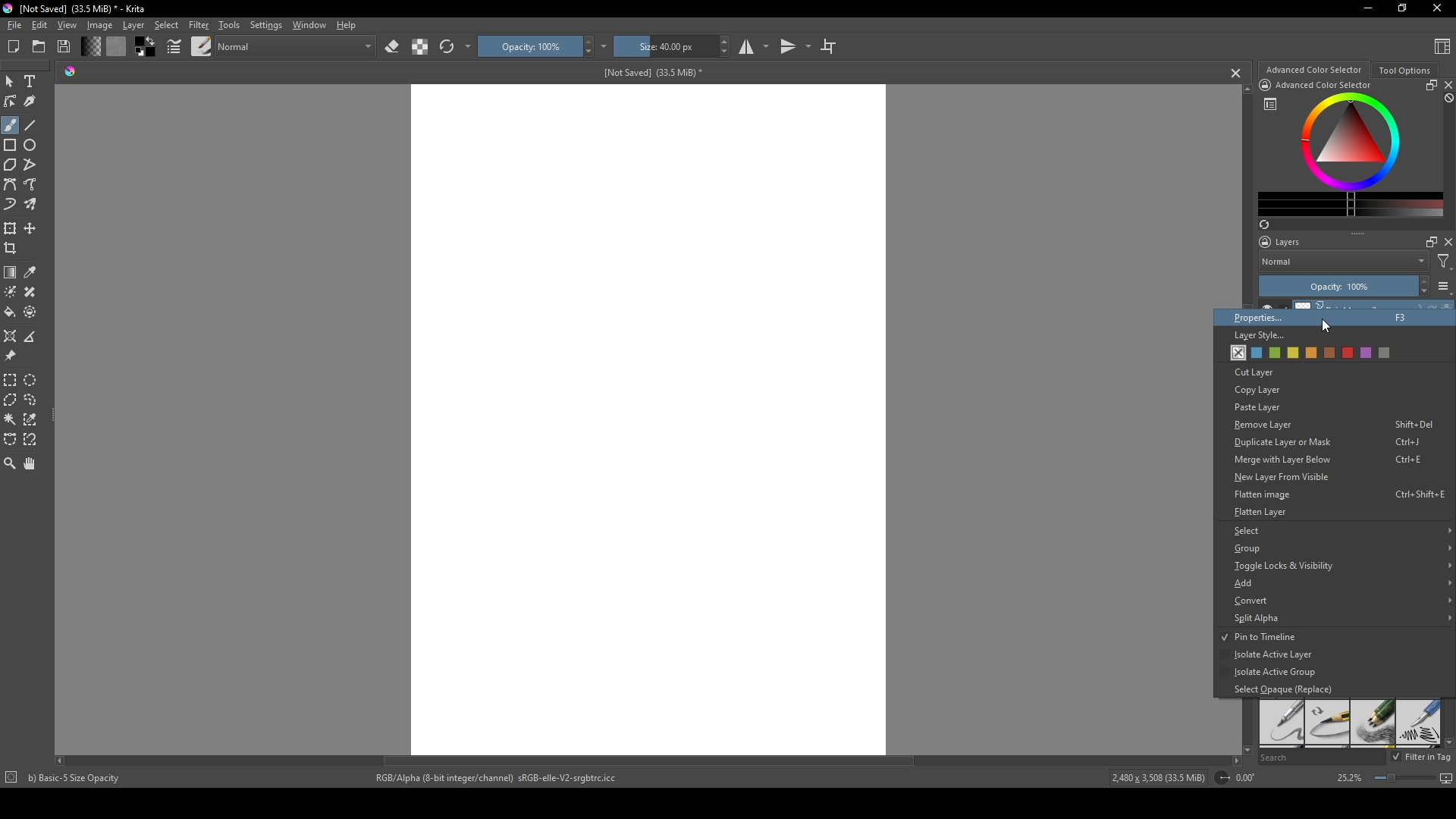  Describe the element at coordinates (1423, 293) in the screenshot. I see `decrease` at that location.